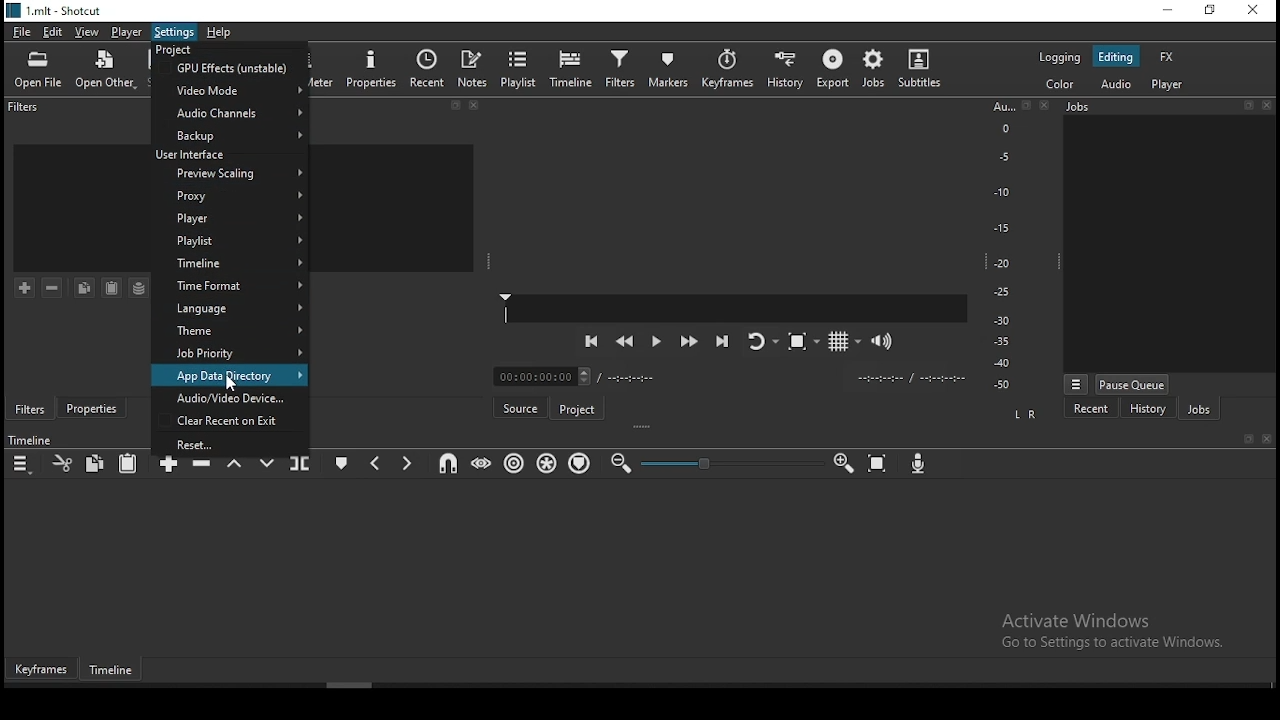 The width and height of the screenshot is (1280, 720). Describe the element at coordinates (230, 398) in the screenshot. I see `audio/video device` at that location.